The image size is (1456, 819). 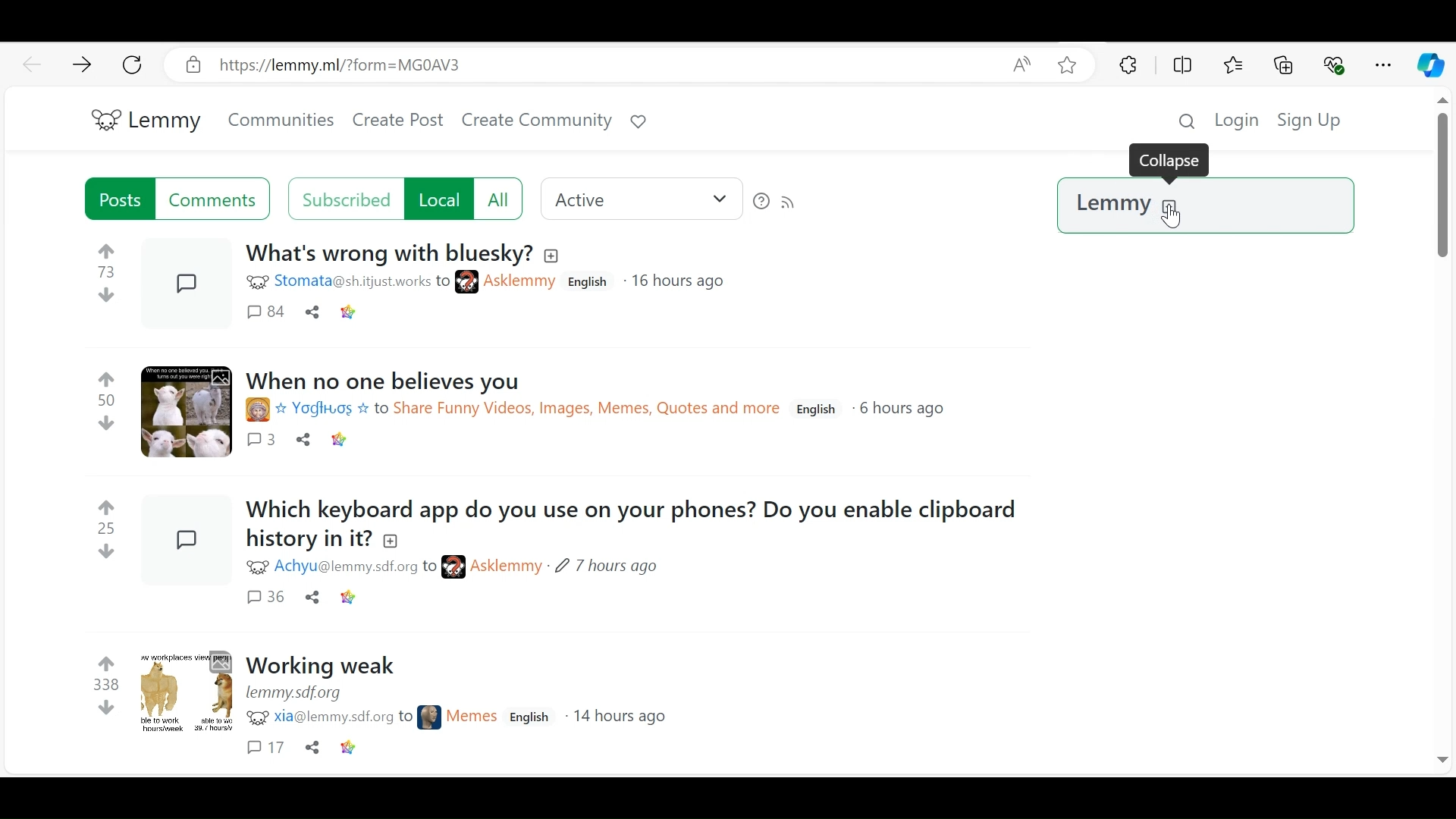 I want to click on add, so click(x=394, y=539).